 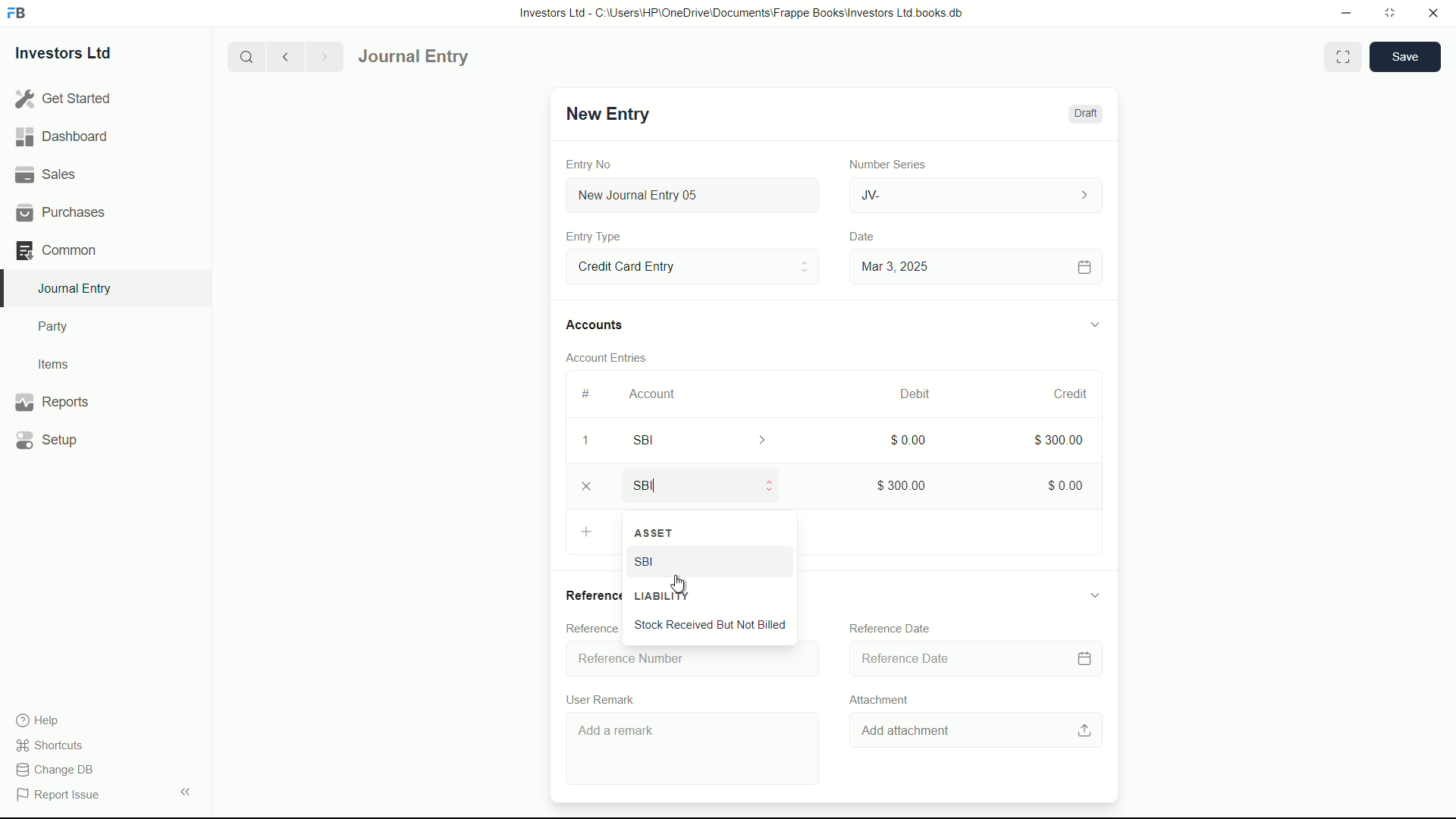 What do you see at coordinates (77, 55) in the screenshot?
I see `Investors Ltd` at bounding box center [77, 55].